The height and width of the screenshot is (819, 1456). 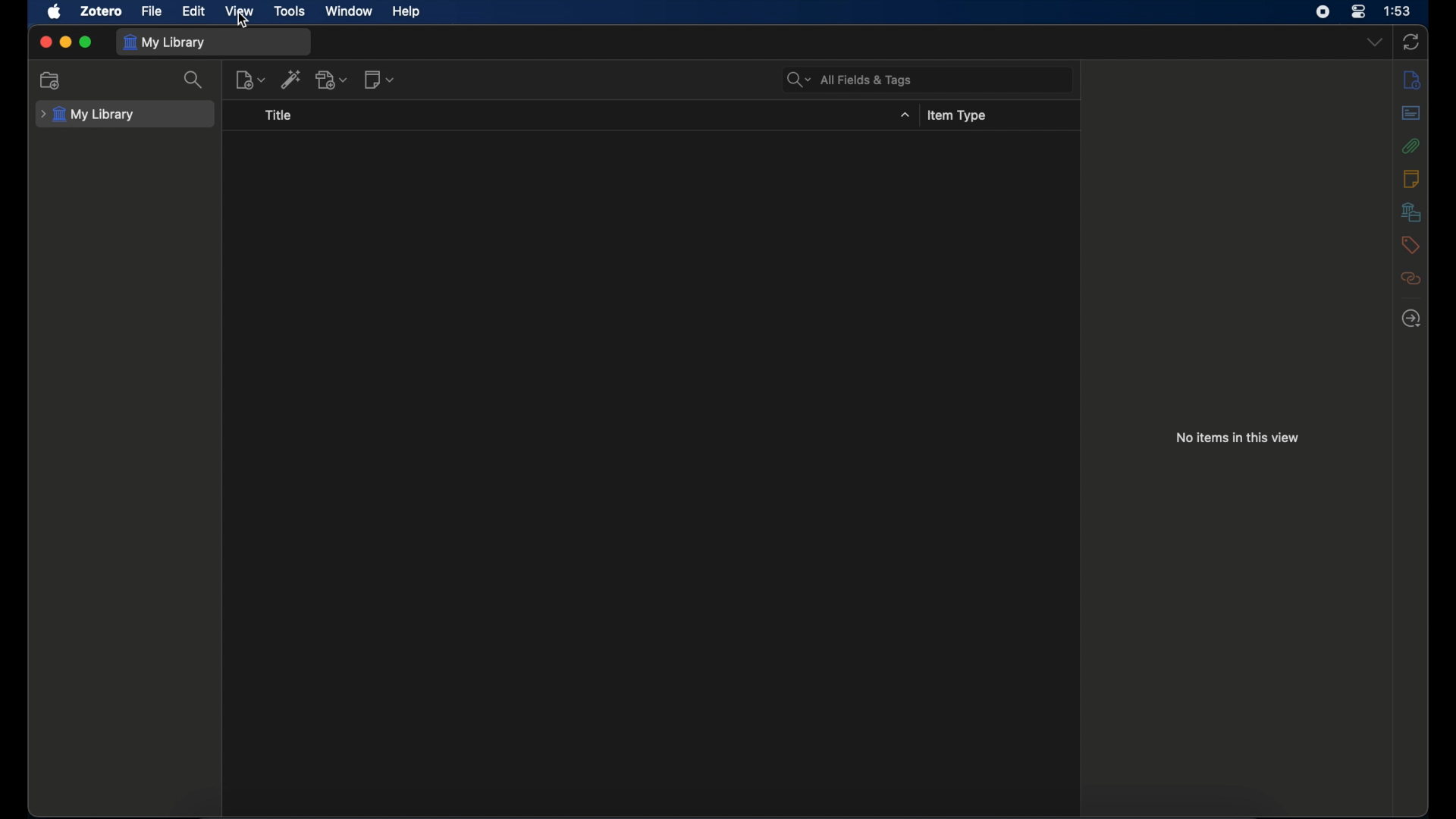 What do you see at coordinates (332, 79) in the screenshot?
I see `add attachment` at bounding box center [332, 79].